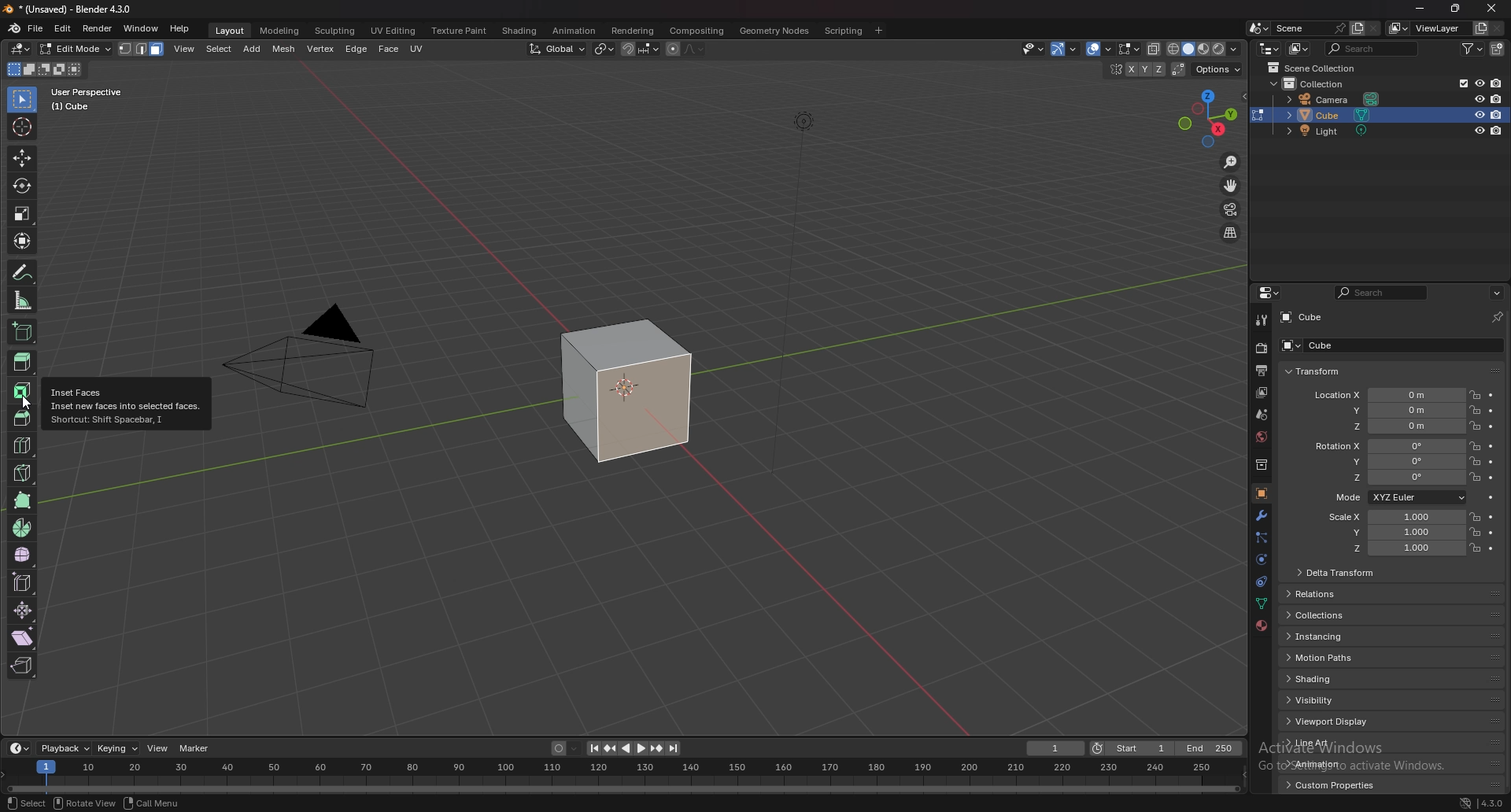 The height and width of the screenshot is (812, 1511). What do you see at coordinates (336, 31) in the screenshot?
I see `sculpting` at bounding box center [336, 31].